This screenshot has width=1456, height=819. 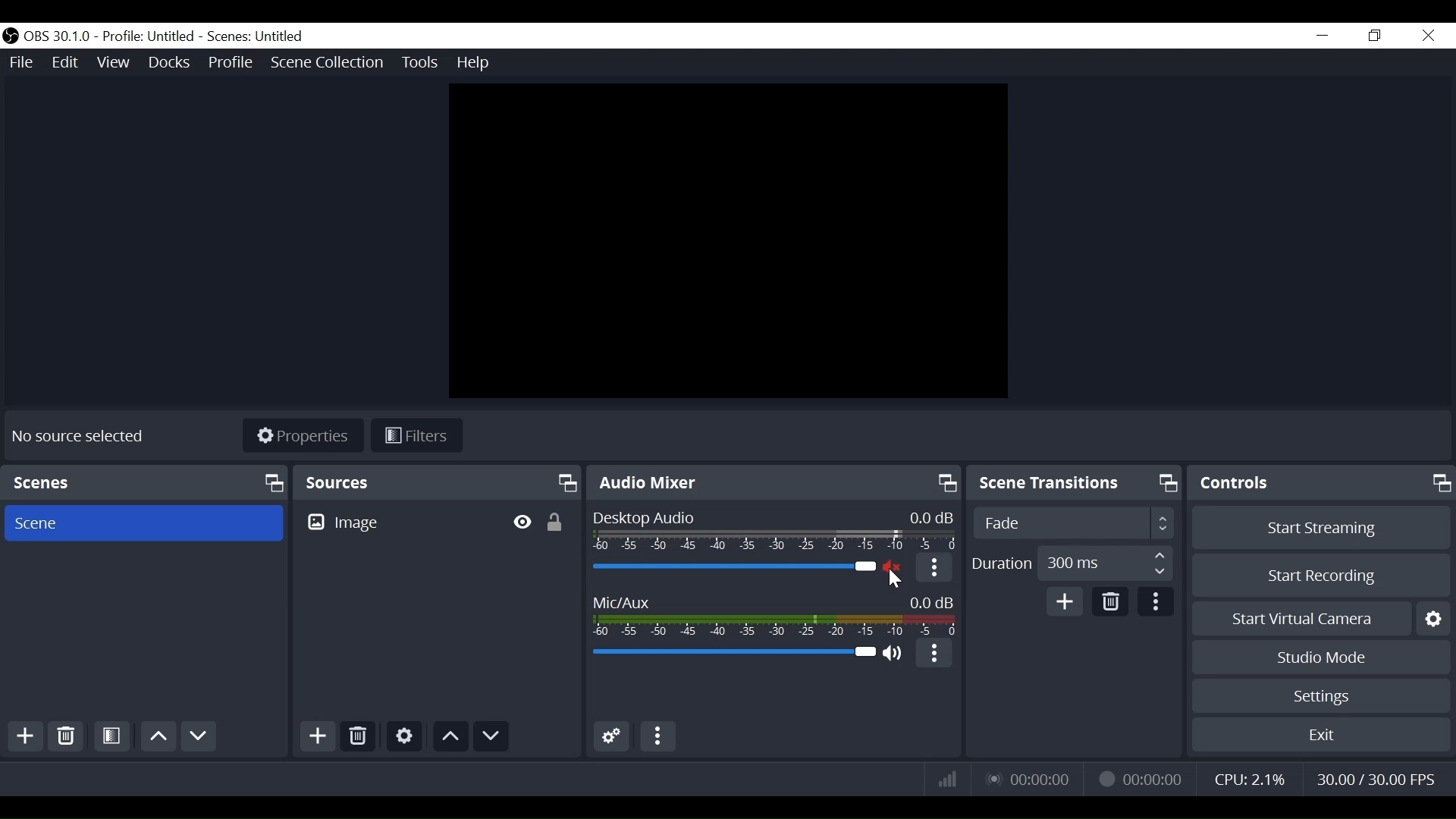 I want to click on OBS Version, so click(x=58, y=37).